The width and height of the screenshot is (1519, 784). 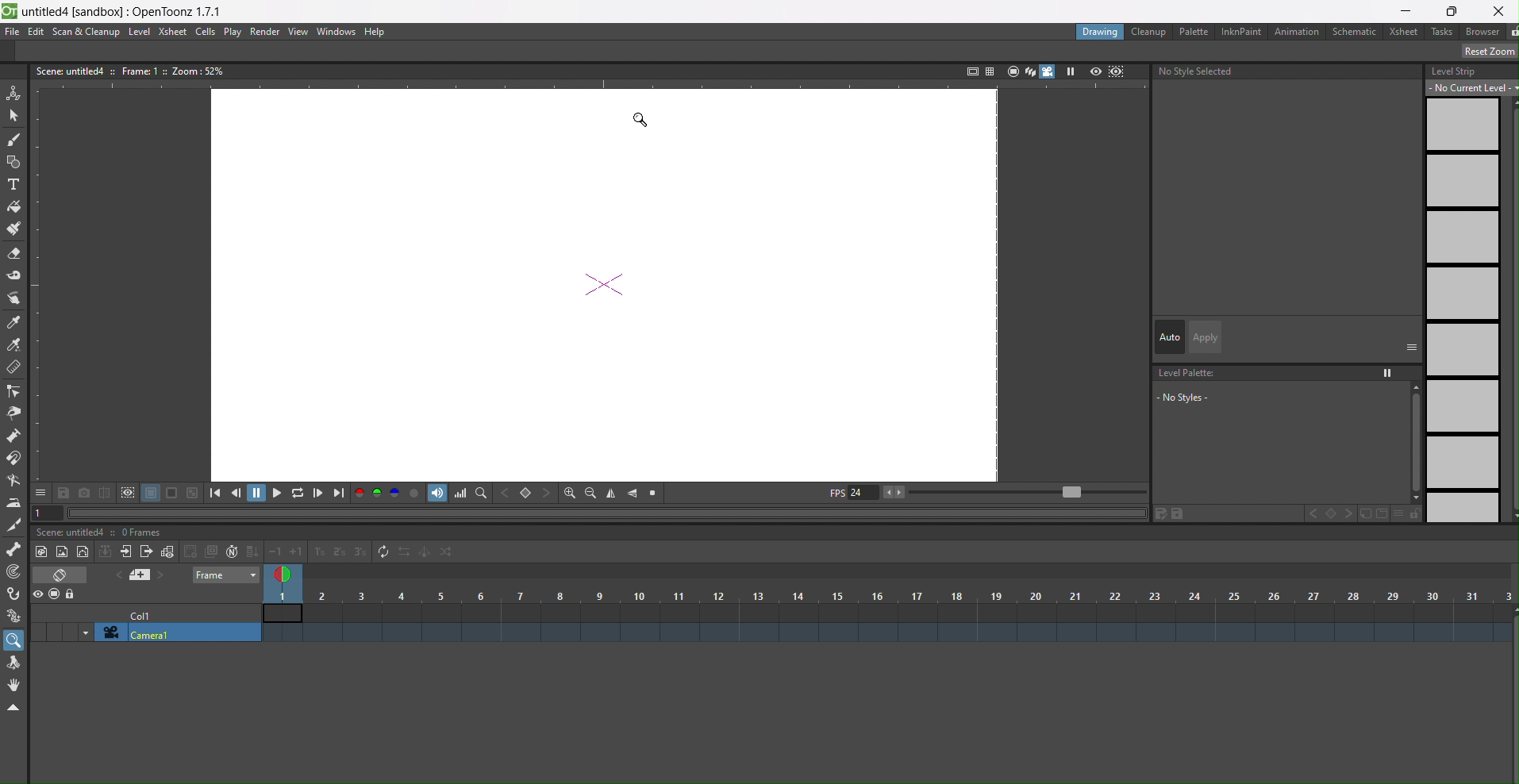 I want to click on icon, so click(x=141, y=576).